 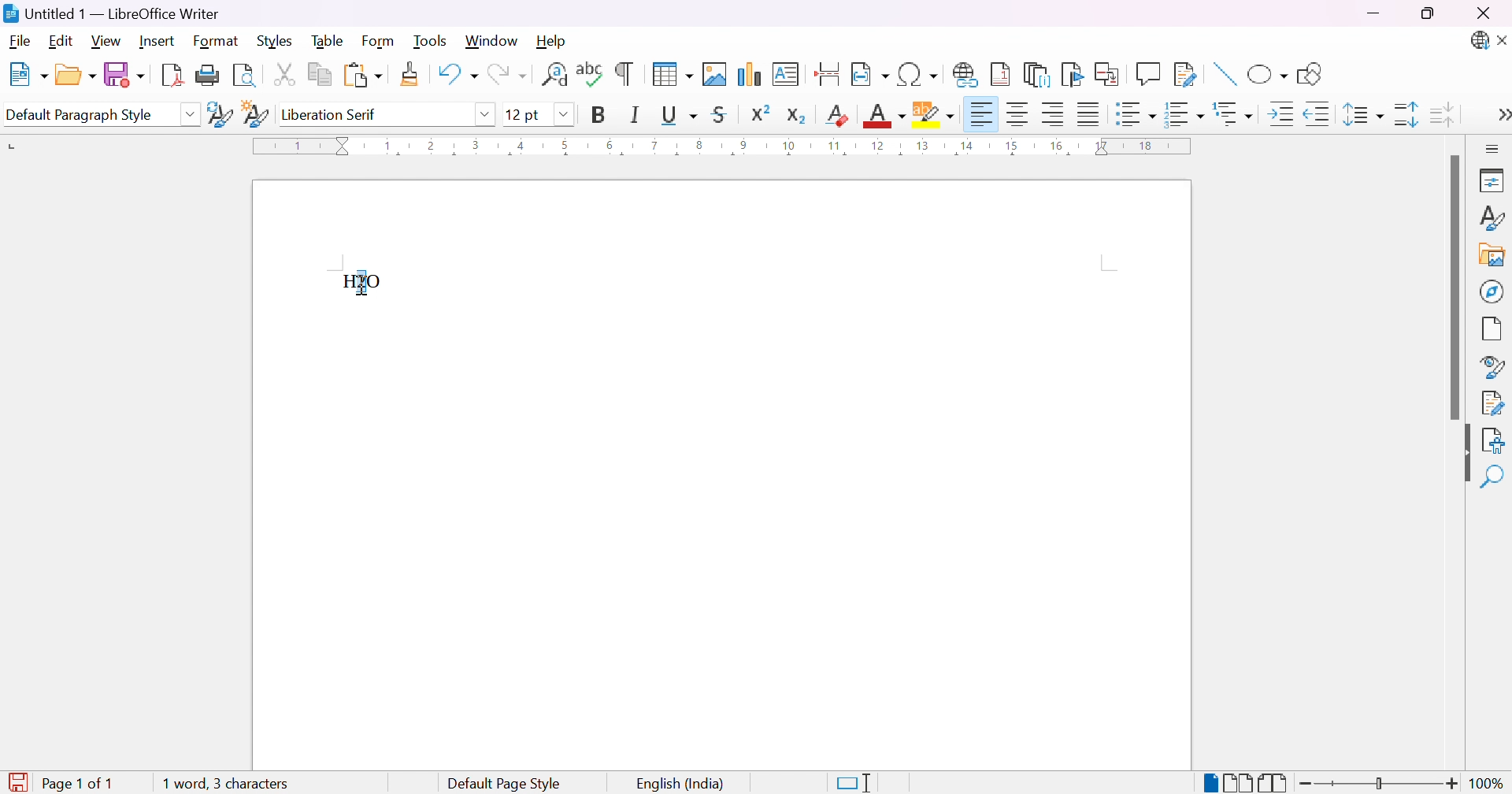 What do you see at coordinates (492, 42) in the screenshot?
I see `Window` at bounding box center [492, 42].